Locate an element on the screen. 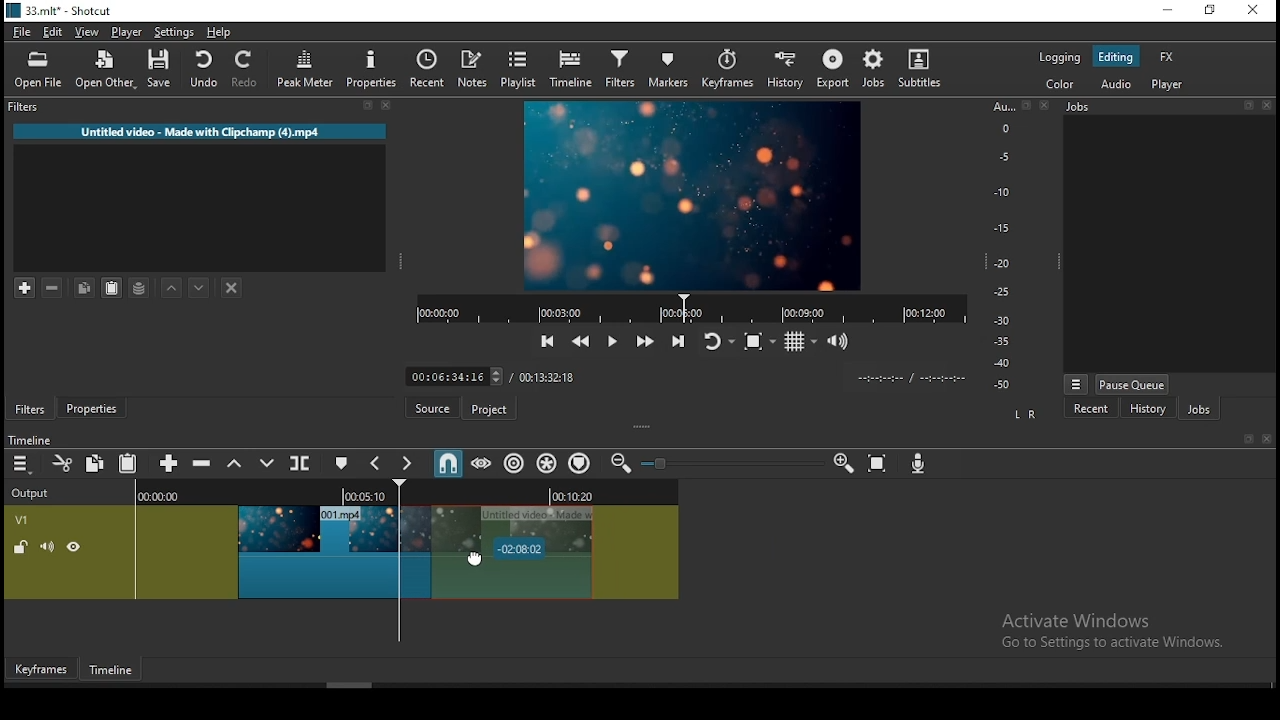 The height and width of the screenshot is (720, 1280). filters is located at coordinates (31, 410).